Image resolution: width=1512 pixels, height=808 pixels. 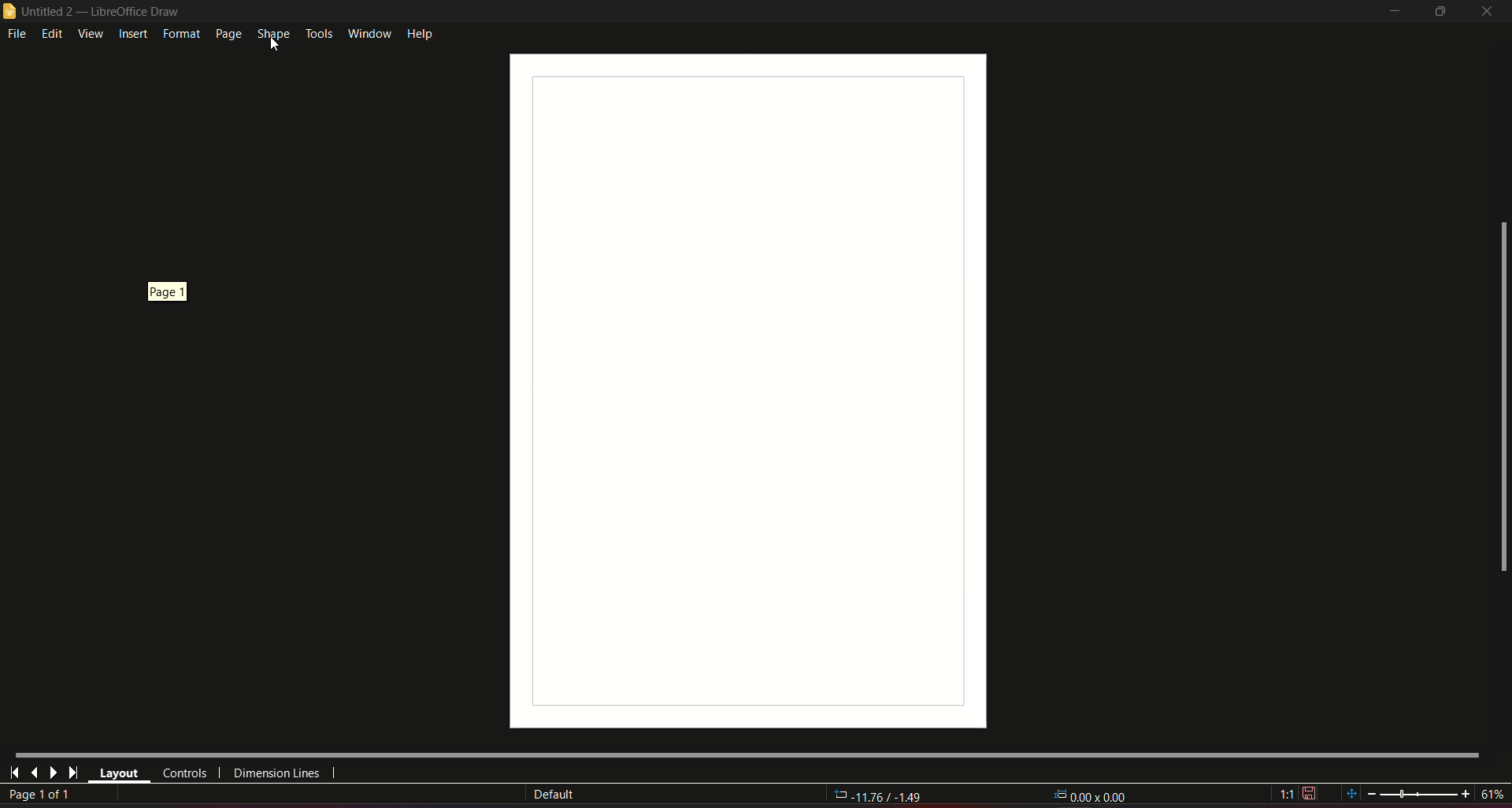 What do you see at coordinates (180, 34) in the screenshot?
I see `format` at bounding box center [180, 34].